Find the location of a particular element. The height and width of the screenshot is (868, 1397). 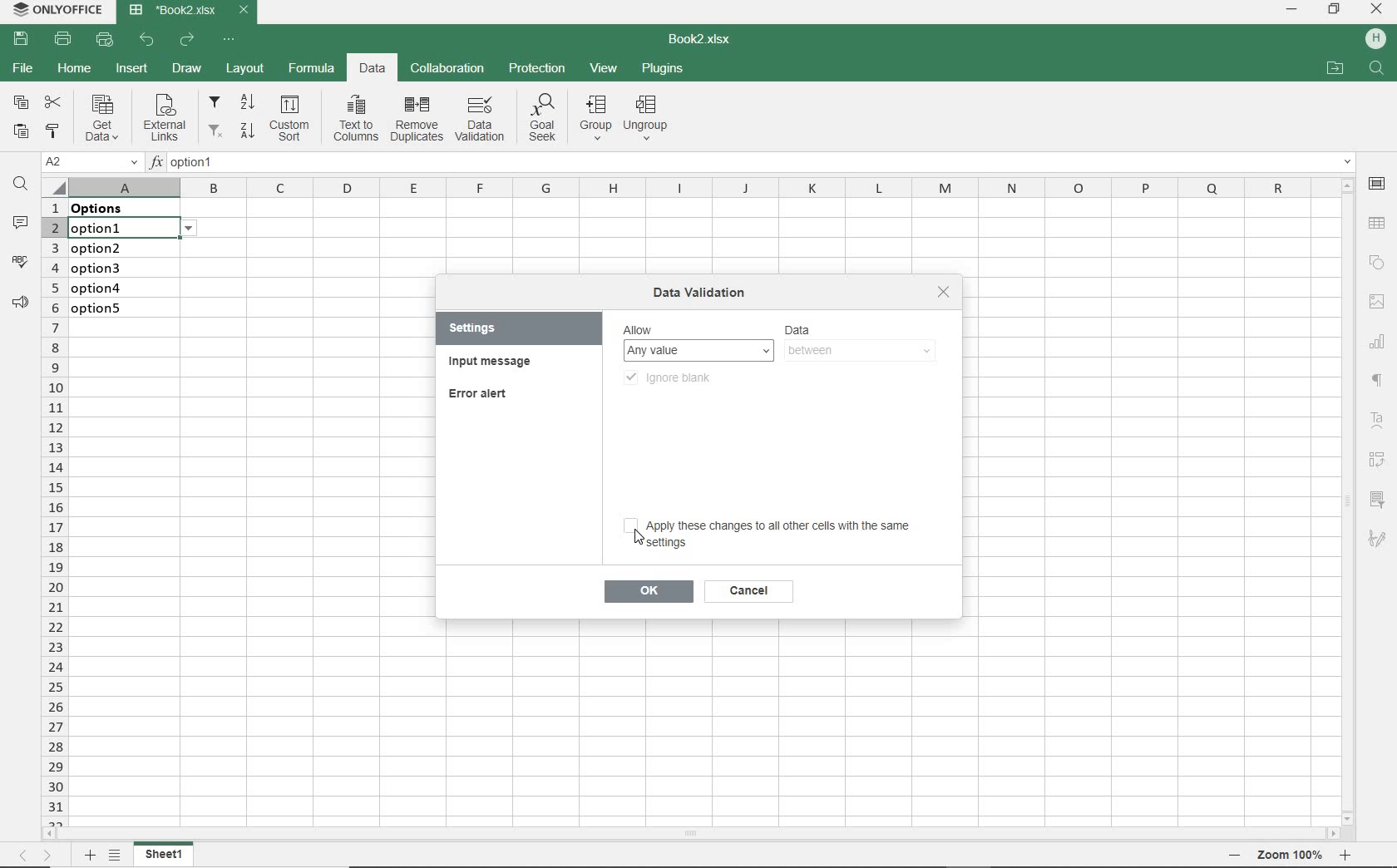

SAVE is located at coordinates (21, 40).